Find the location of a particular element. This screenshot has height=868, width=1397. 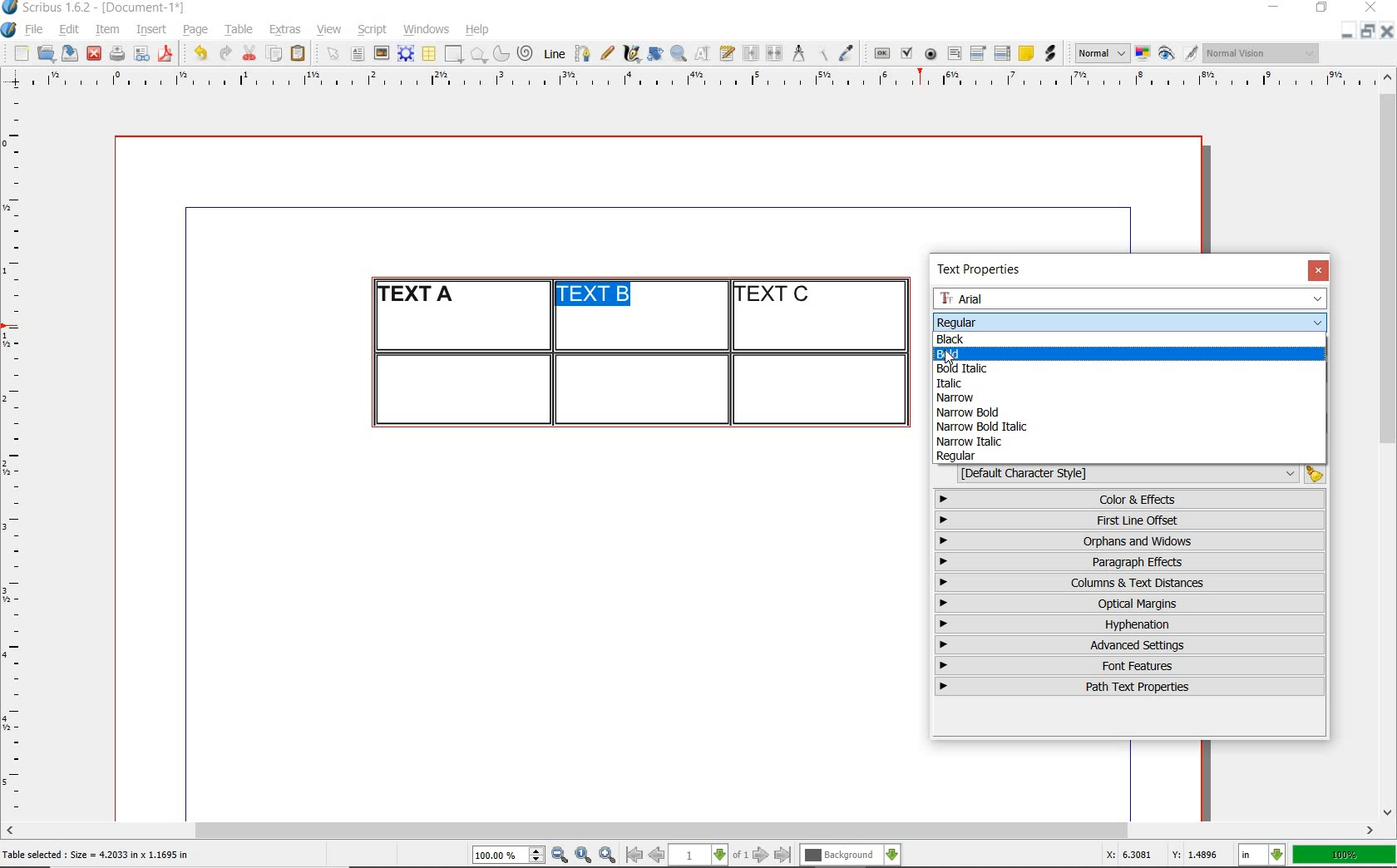

pdf push button is located at coordinates (882, 54).